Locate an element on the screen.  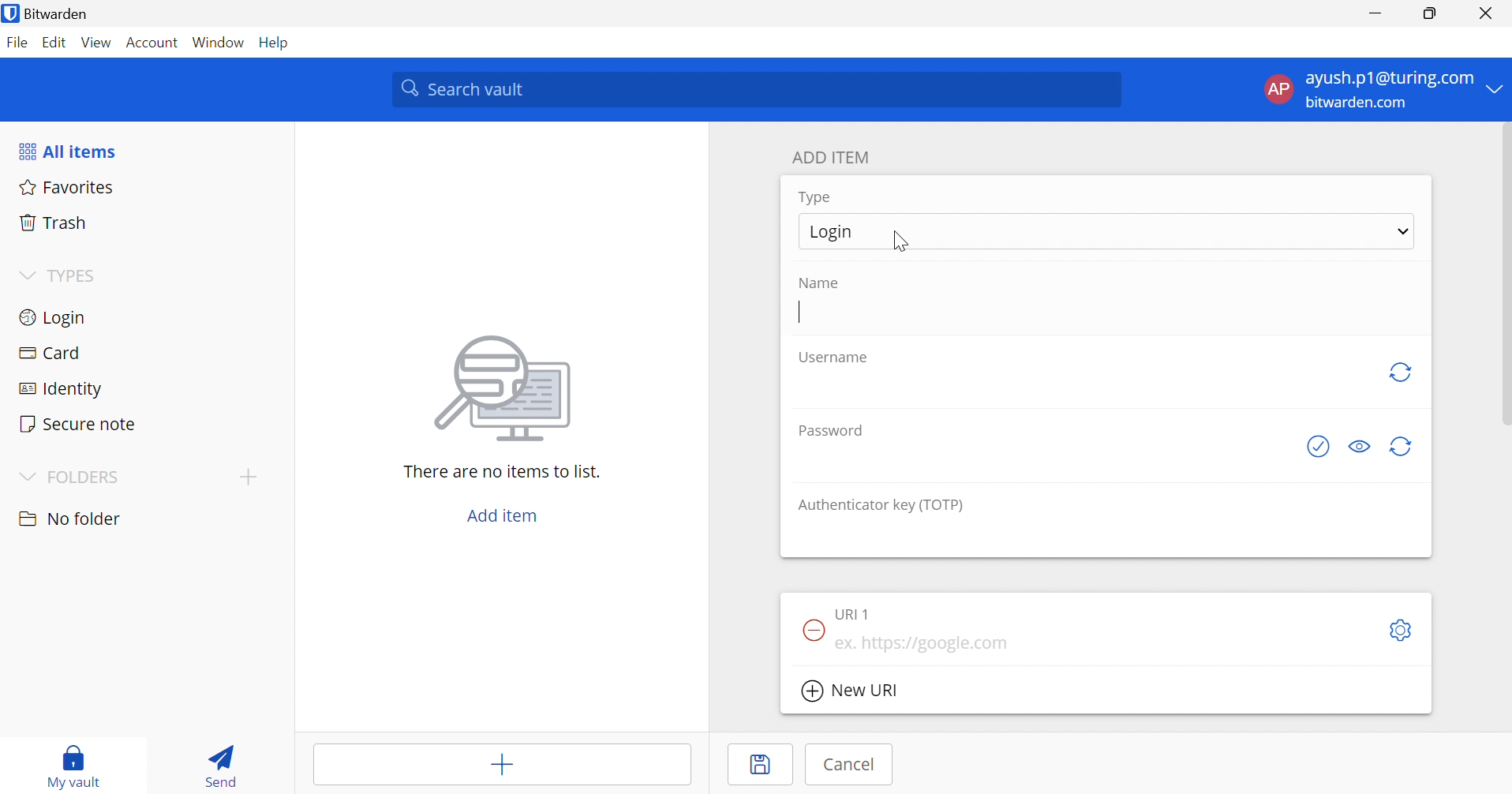
Vertical scrollbar is located at coordinates (1503, 276).